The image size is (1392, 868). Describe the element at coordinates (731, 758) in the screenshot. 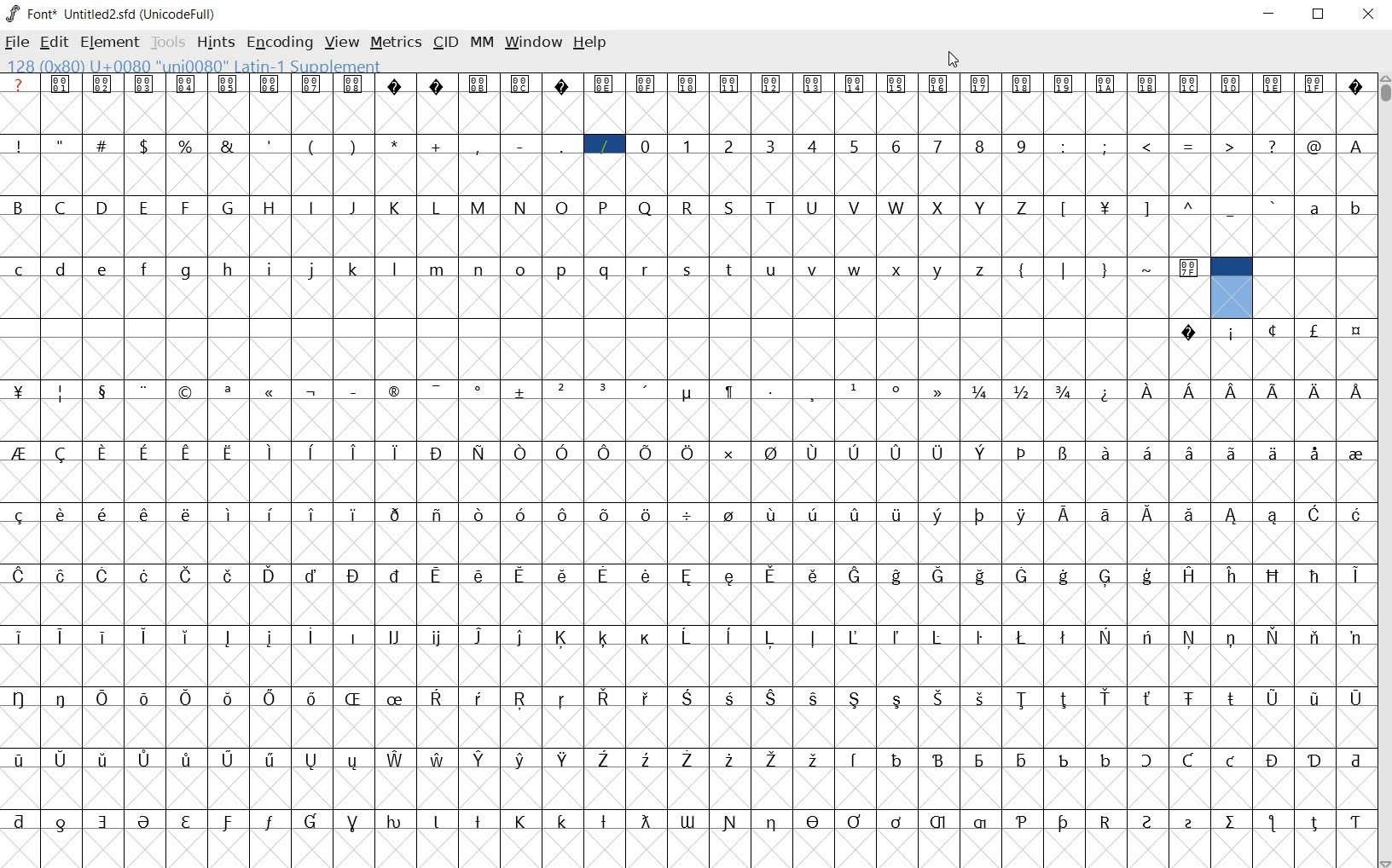

I see `Symbol` at that location.